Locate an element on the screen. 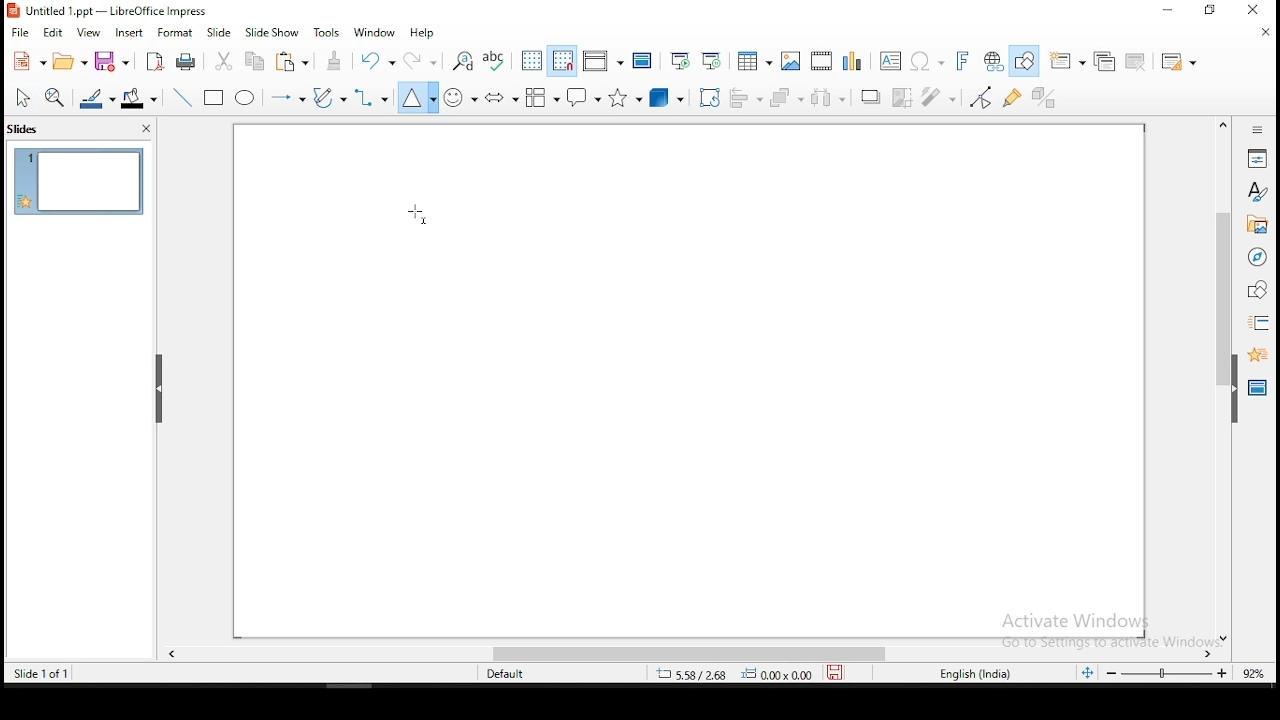 Image resolution: width=1280 pixels, height=720 pixels. 6.9 / -0.26 is located at coordinates (690, 676).